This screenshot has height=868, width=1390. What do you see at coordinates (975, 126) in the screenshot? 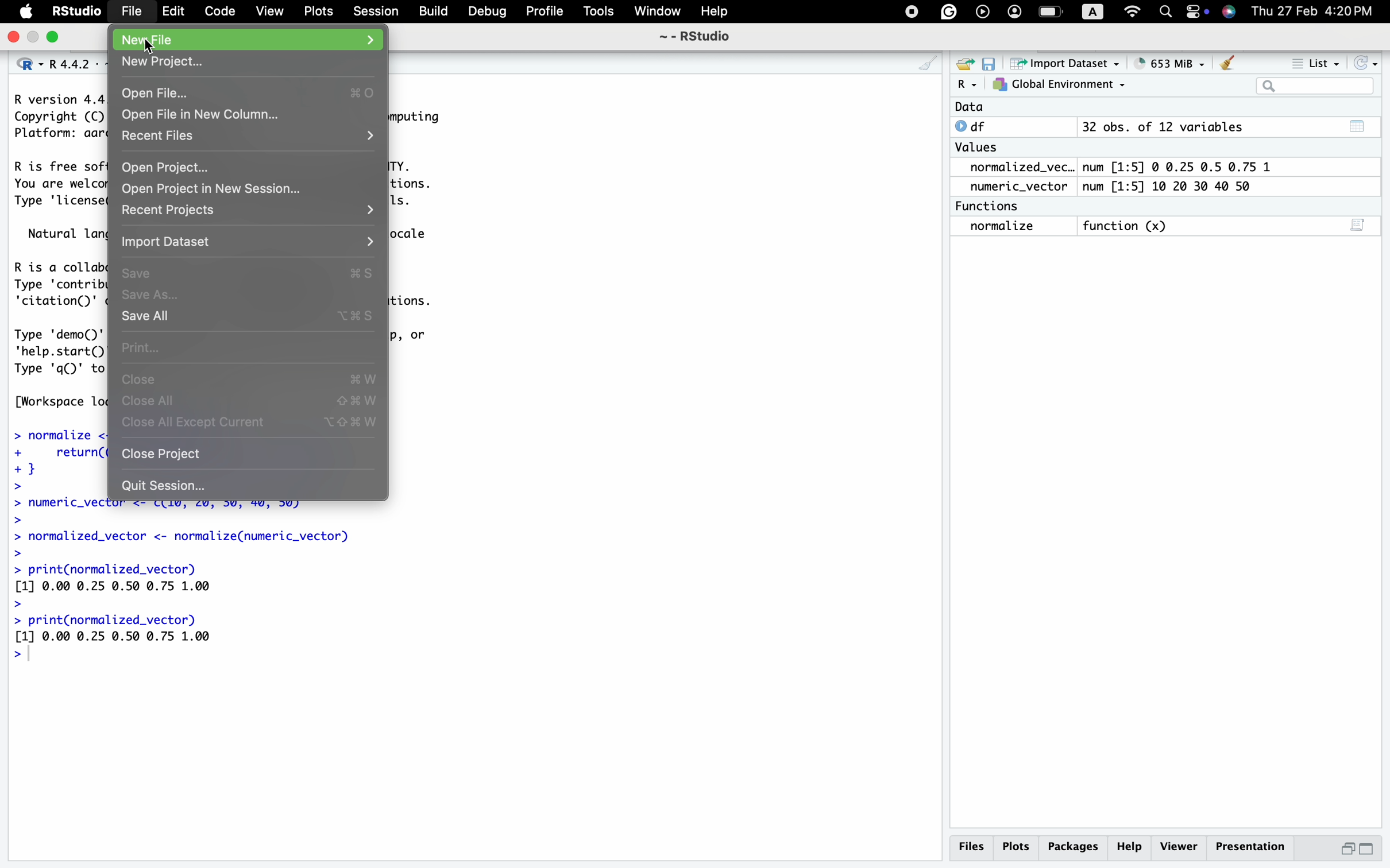
I see `df` at bounding box center [975, 126].